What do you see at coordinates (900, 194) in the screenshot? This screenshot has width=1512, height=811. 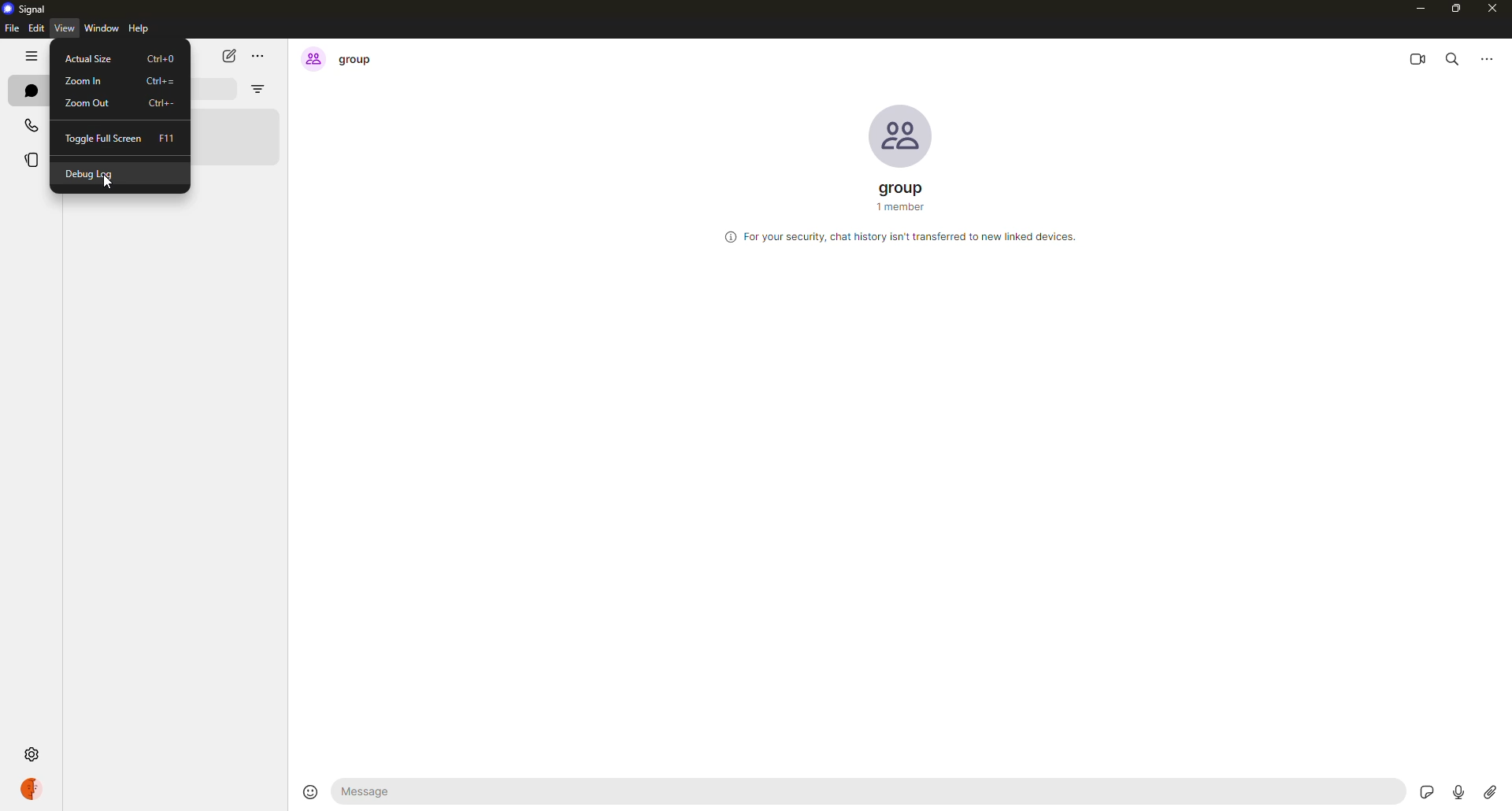 I see `group` at bounding box center [900, 194].